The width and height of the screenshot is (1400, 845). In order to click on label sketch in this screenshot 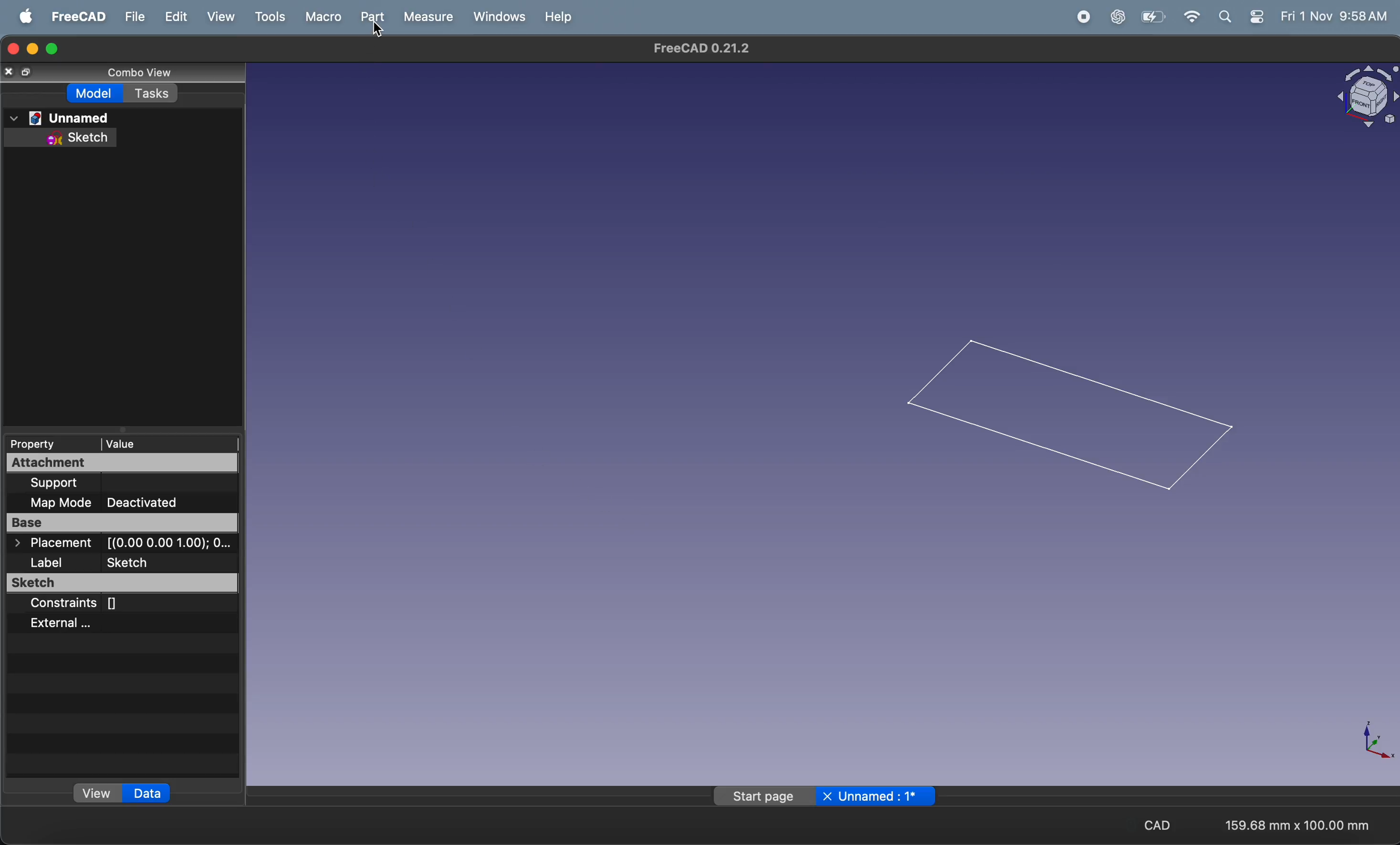, I will do `click(126, 563)`.